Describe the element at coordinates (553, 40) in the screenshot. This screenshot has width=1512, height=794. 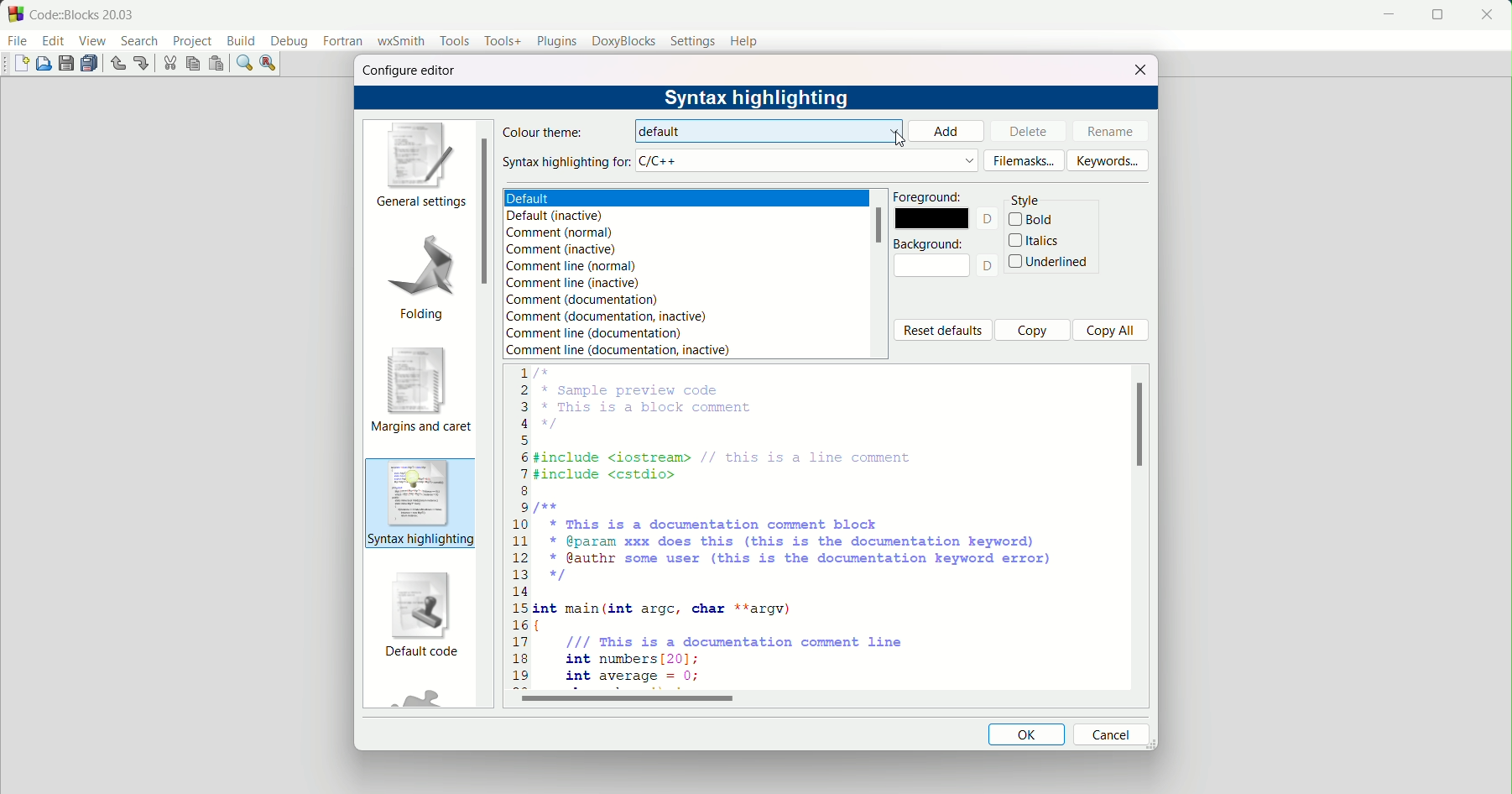
I see `plugins` at that location.